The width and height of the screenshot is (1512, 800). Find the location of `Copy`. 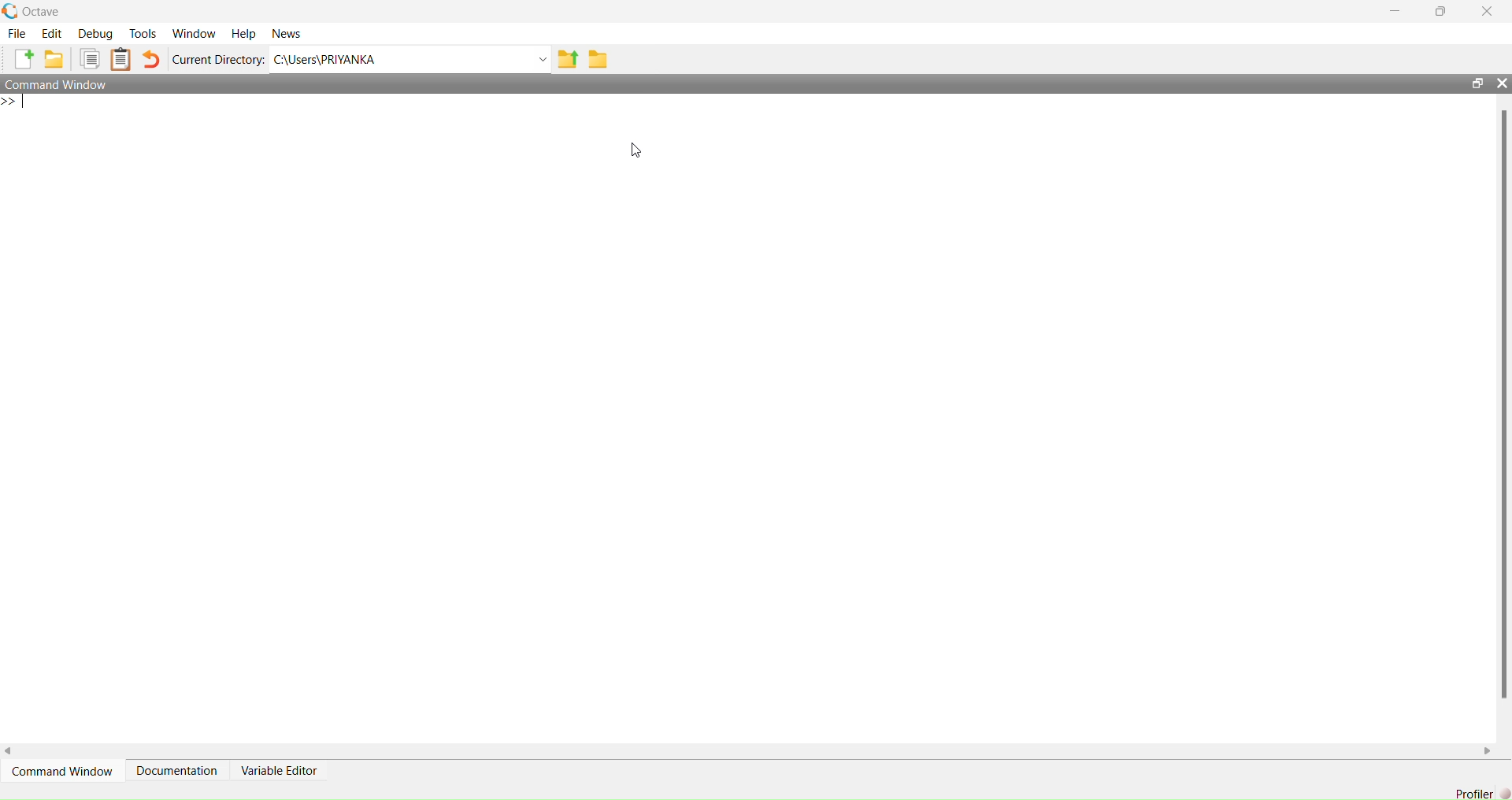

Copy is located at coordinates (91, 59).